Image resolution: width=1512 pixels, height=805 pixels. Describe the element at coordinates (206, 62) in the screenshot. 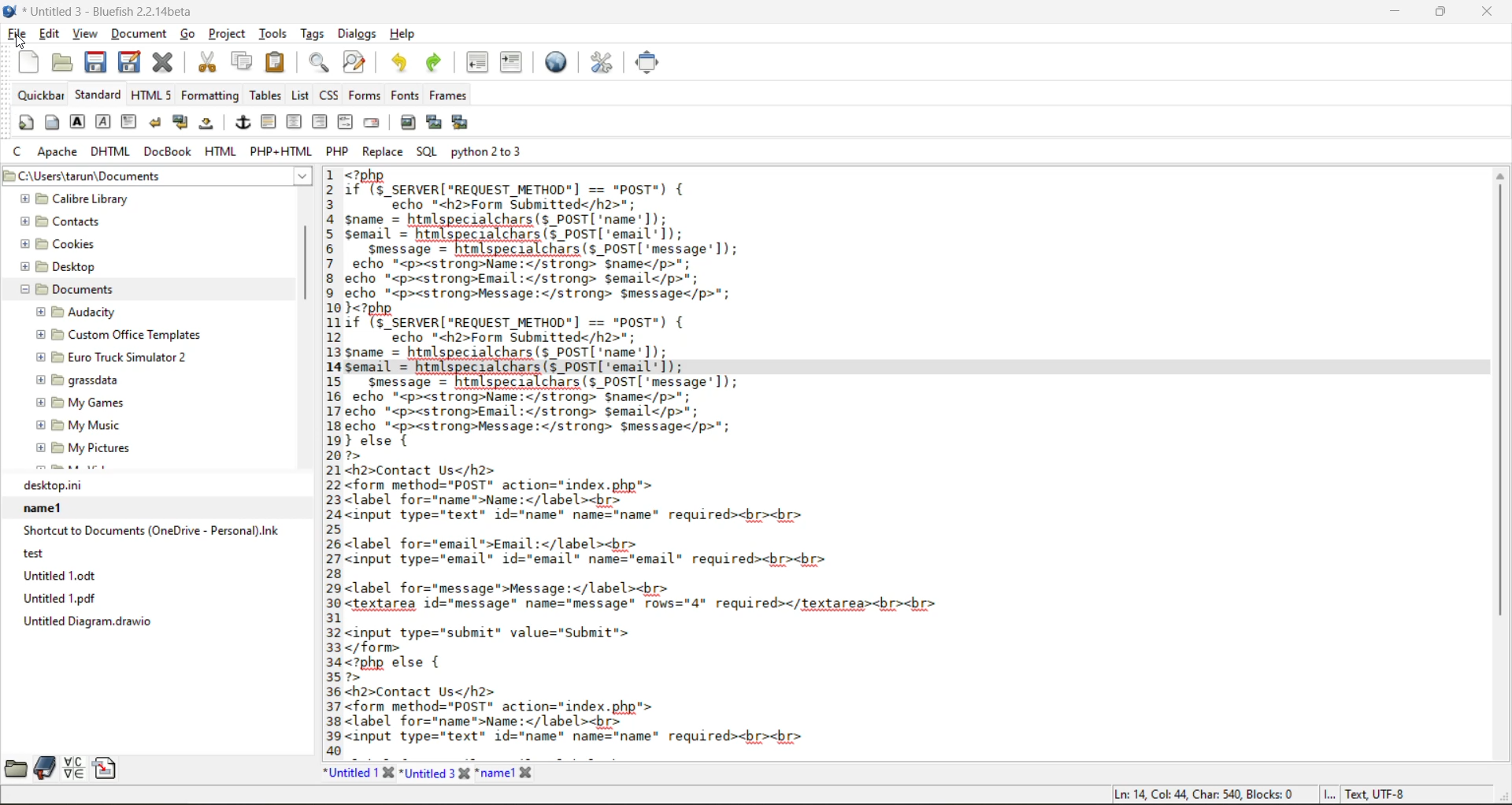

I see `cut` at that location.